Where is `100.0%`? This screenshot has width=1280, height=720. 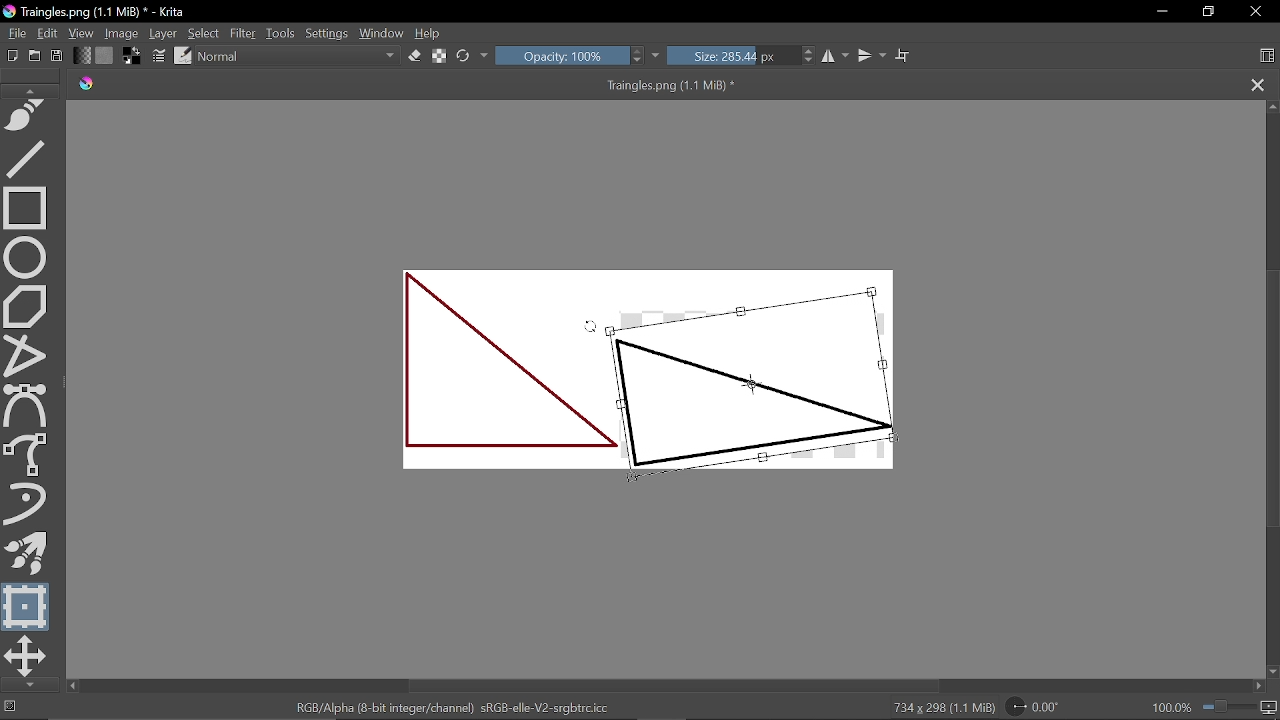
100.0% is located at coordinates (1215, 707).